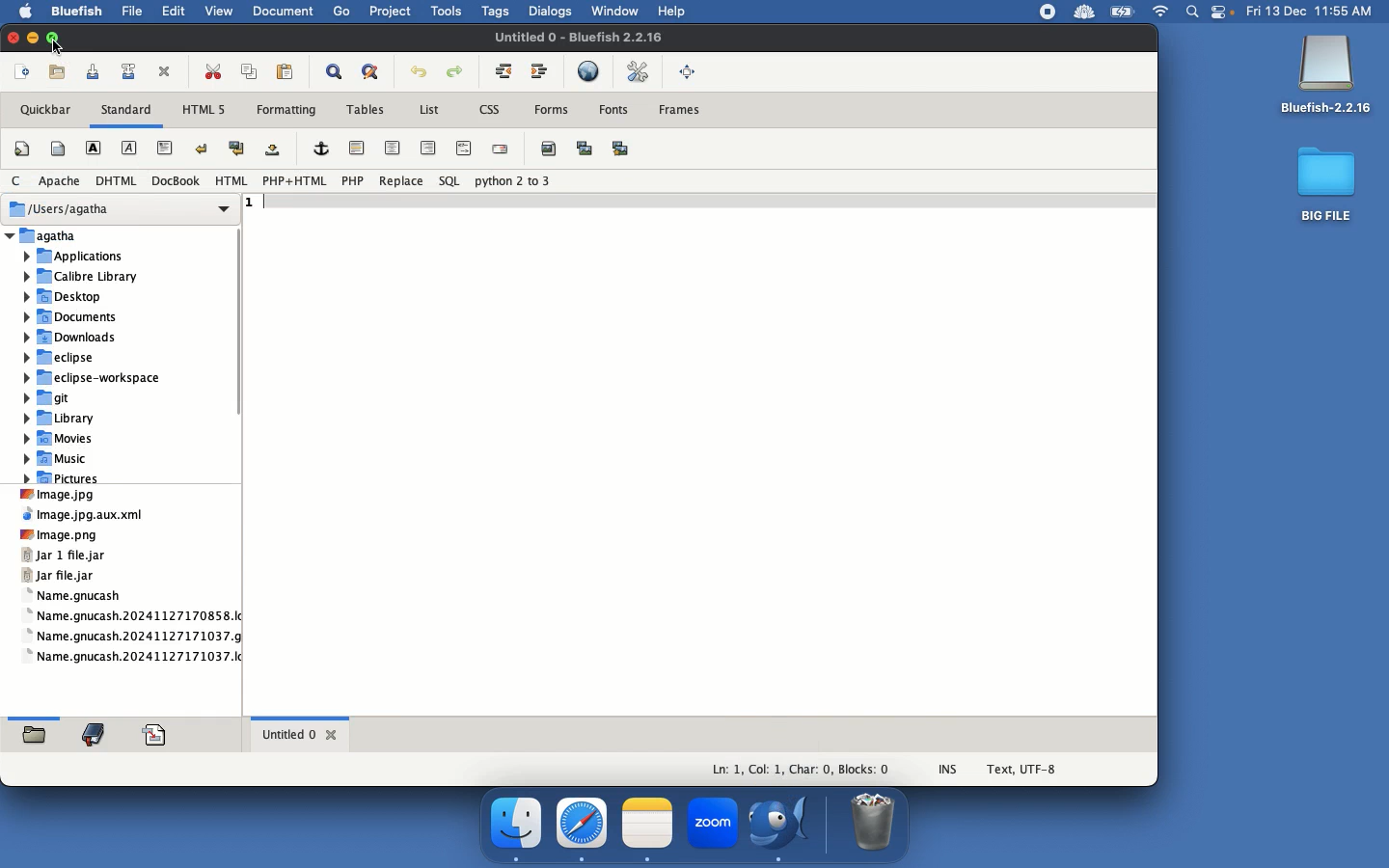  Describe the element at coordinates (60, 38) in the screenshot. I see `maximize` at that location.